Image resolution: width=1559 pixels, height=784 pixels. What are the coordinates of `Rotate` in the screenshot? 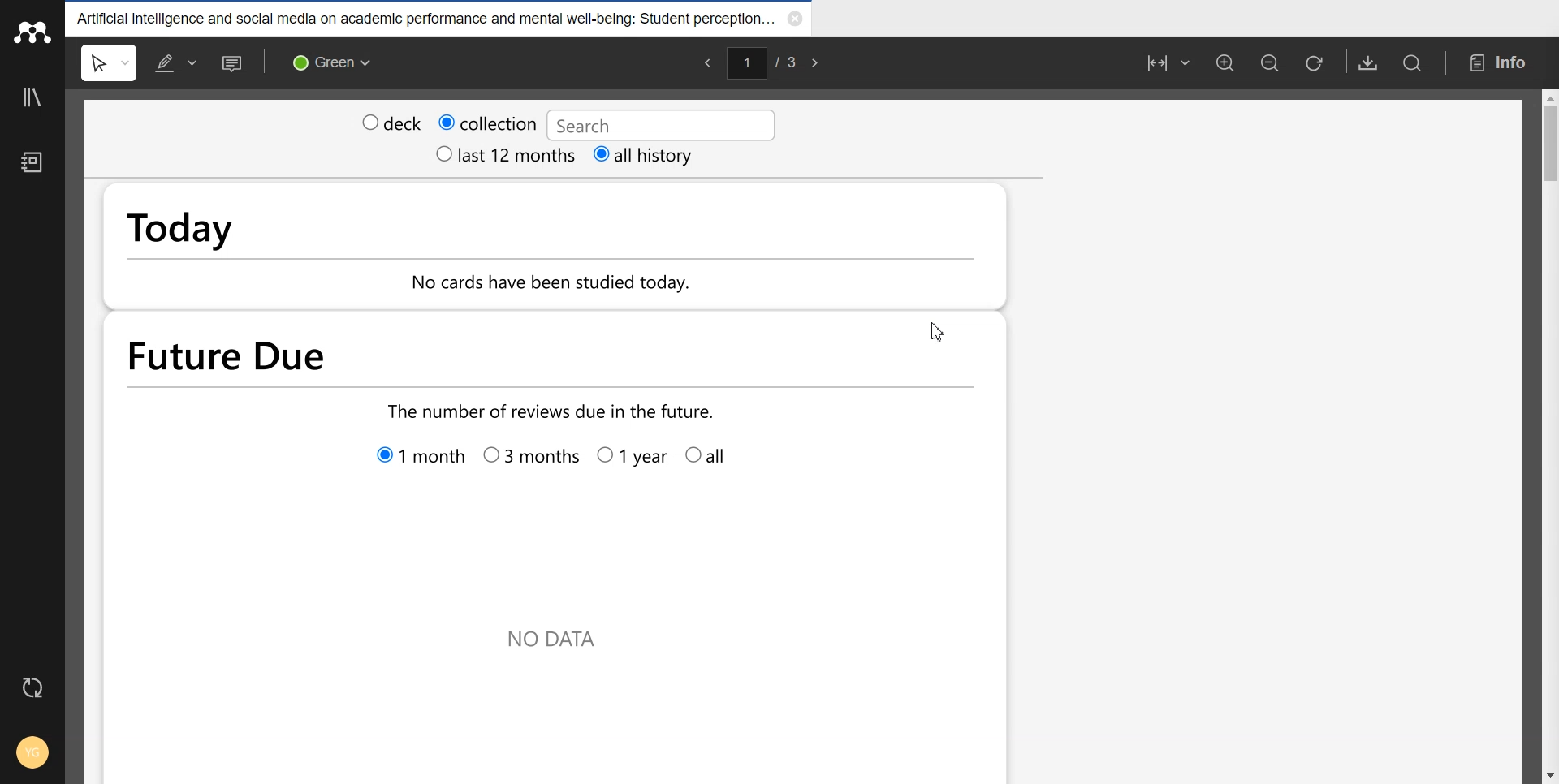 It's located at (1315, 62).